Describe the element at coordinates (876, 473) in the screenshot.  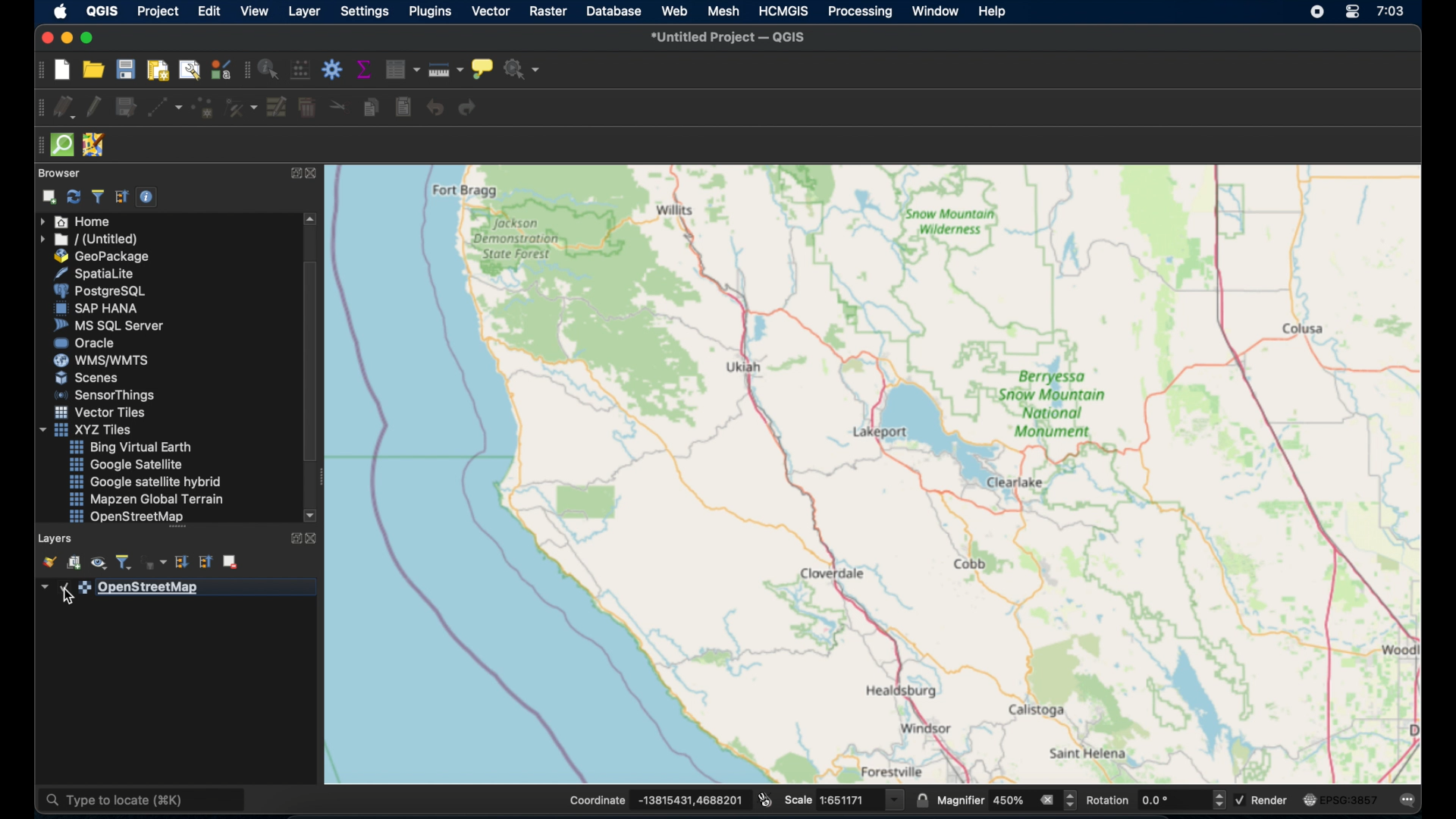
I see `openstreetmap` at that location.